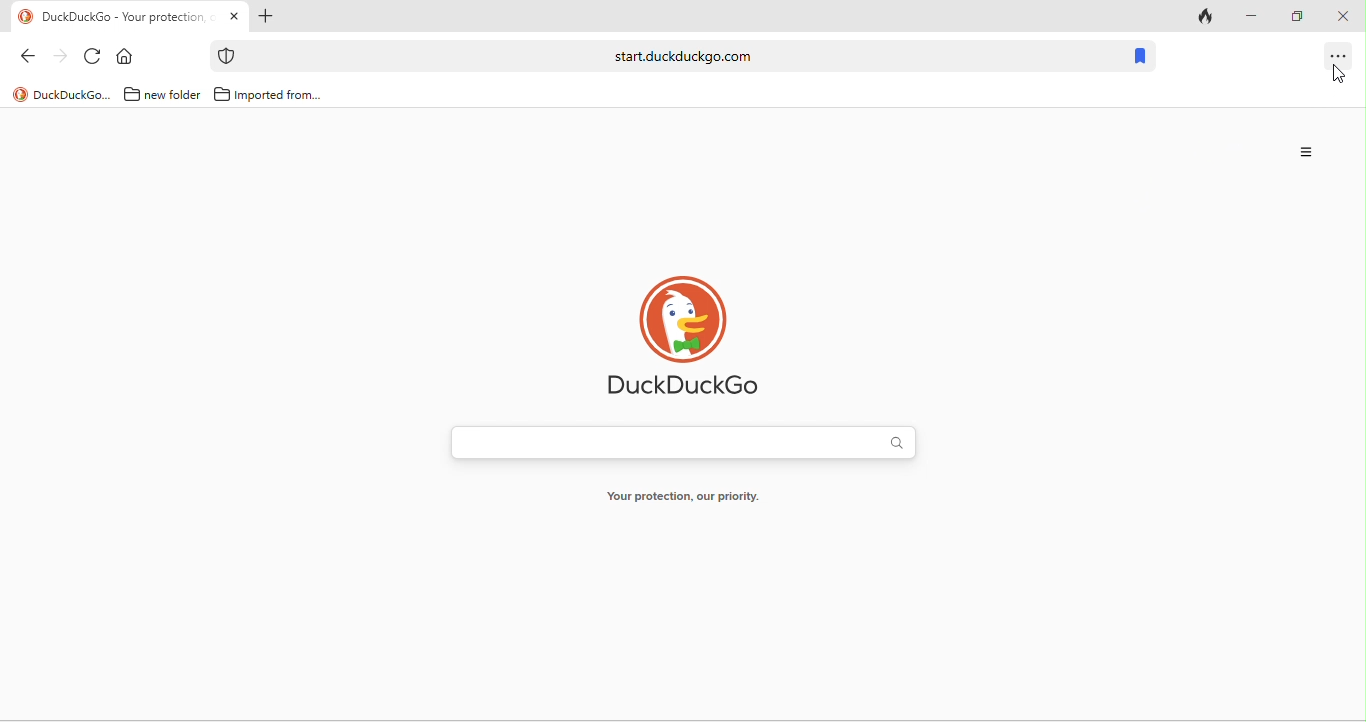  What do you see at coordinates (159, 95) in the screenshot?
I see `new folder` at bounding box center [159, 95].